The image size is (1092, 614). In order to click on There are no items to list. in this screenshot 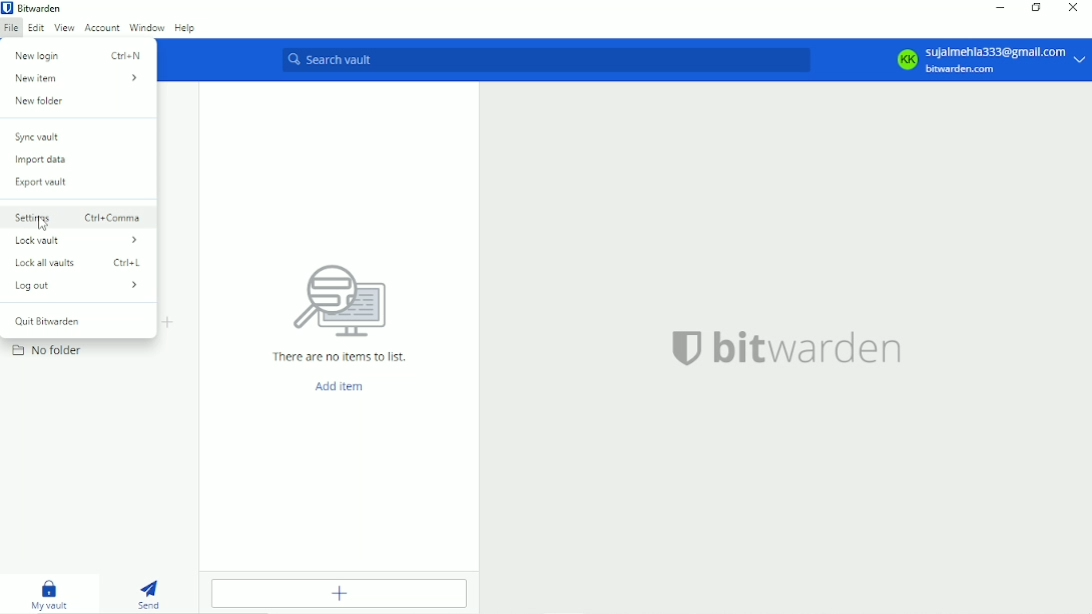, I will do `click(336, 311)`.